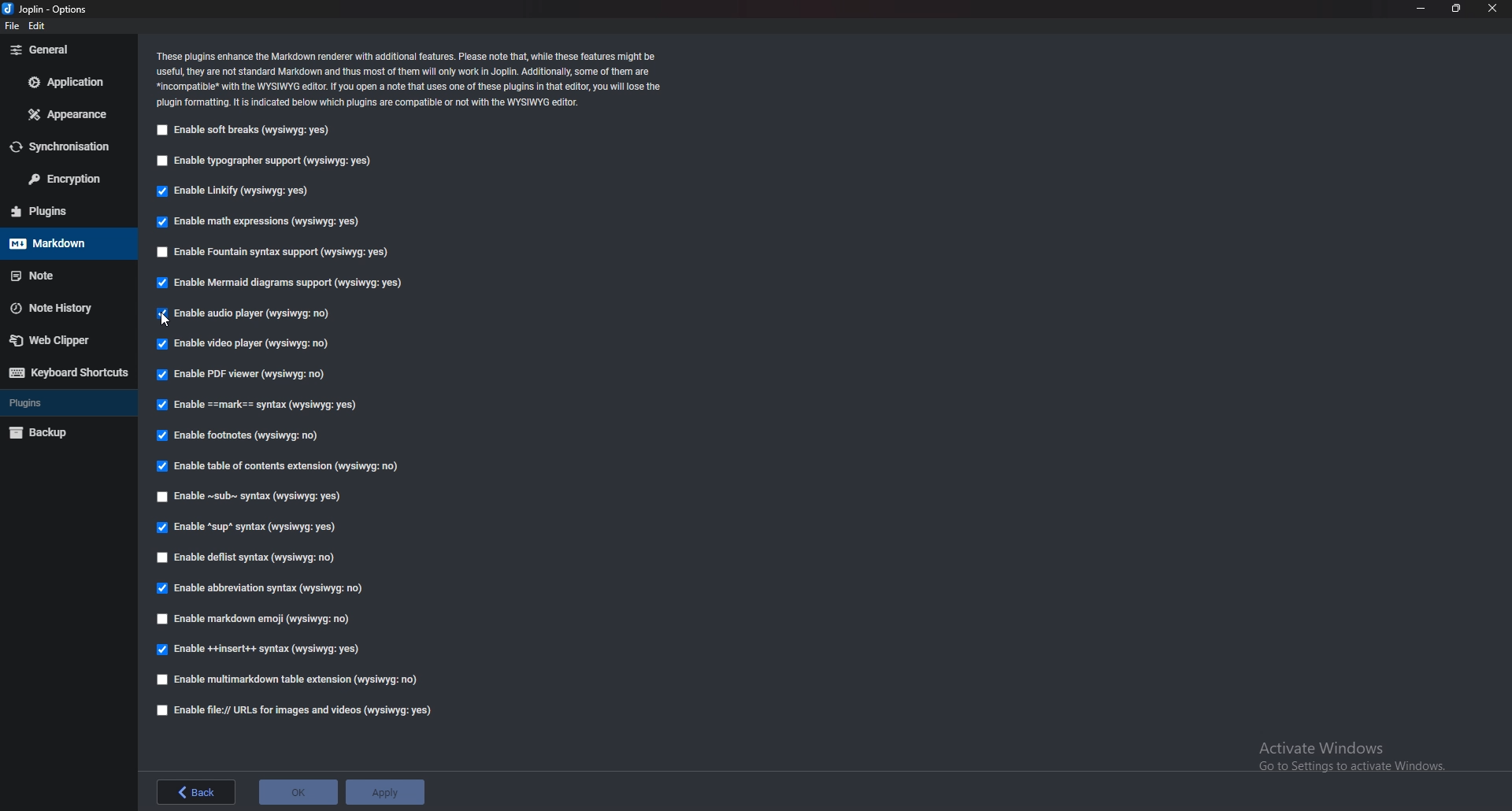  Describe the element at coordinates (262, 162) in the screenshot. I see `Enable typographer support` at that location.